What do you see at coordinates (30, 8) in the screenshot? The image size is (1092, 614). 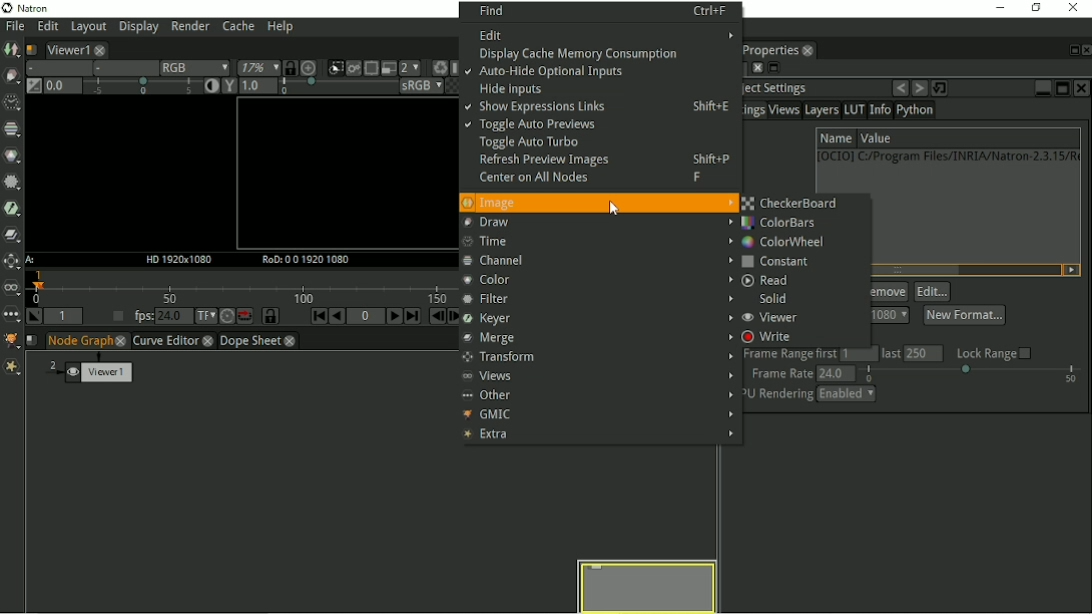 I see `Natron` at bounding box center [30, 8].